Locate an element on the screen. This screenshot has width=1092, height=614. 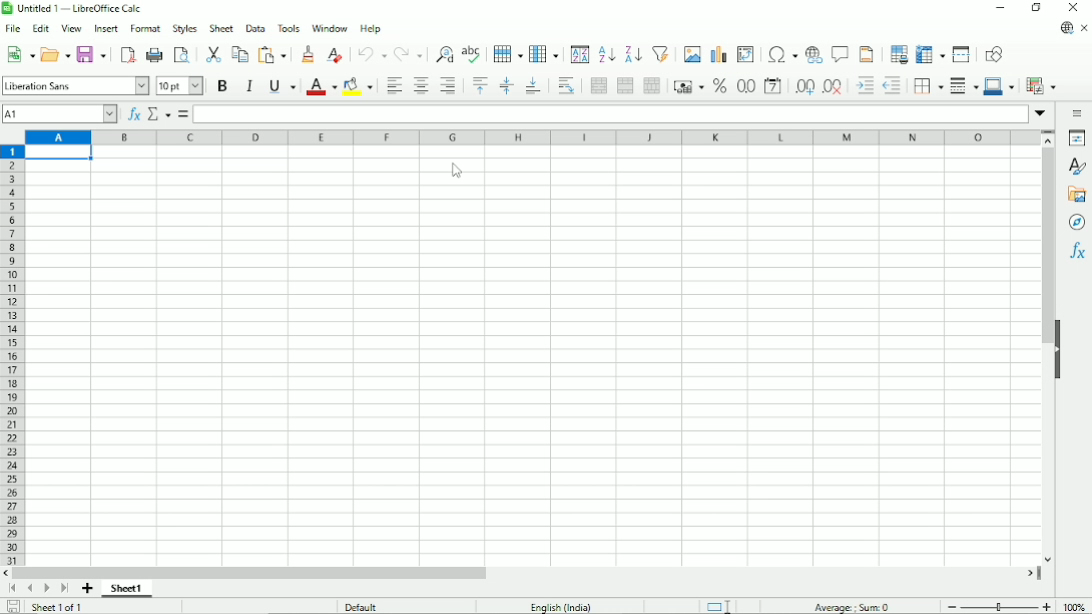
Functions is located at coordinates (1076, 254).